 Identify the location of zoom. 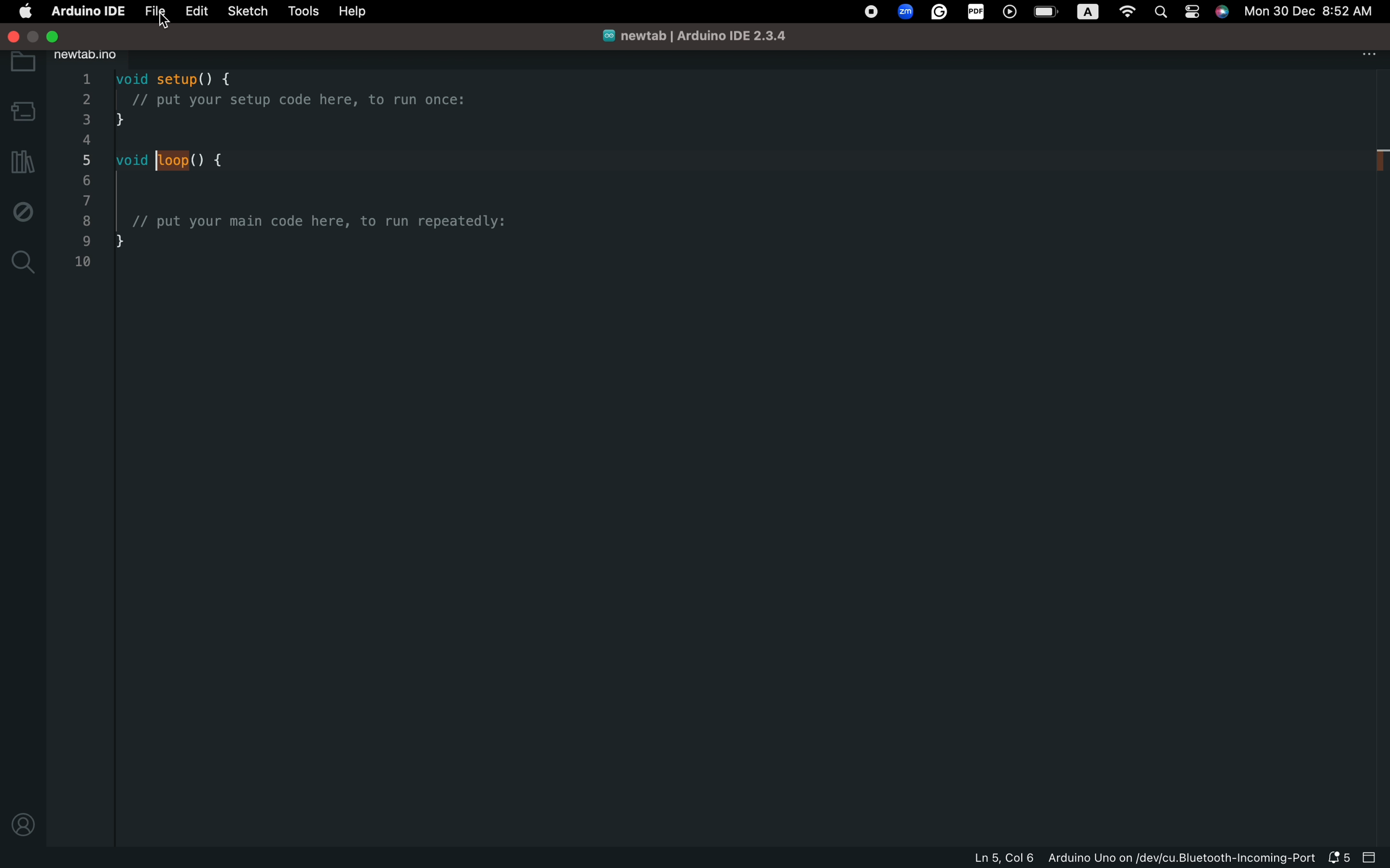
(906, 13).